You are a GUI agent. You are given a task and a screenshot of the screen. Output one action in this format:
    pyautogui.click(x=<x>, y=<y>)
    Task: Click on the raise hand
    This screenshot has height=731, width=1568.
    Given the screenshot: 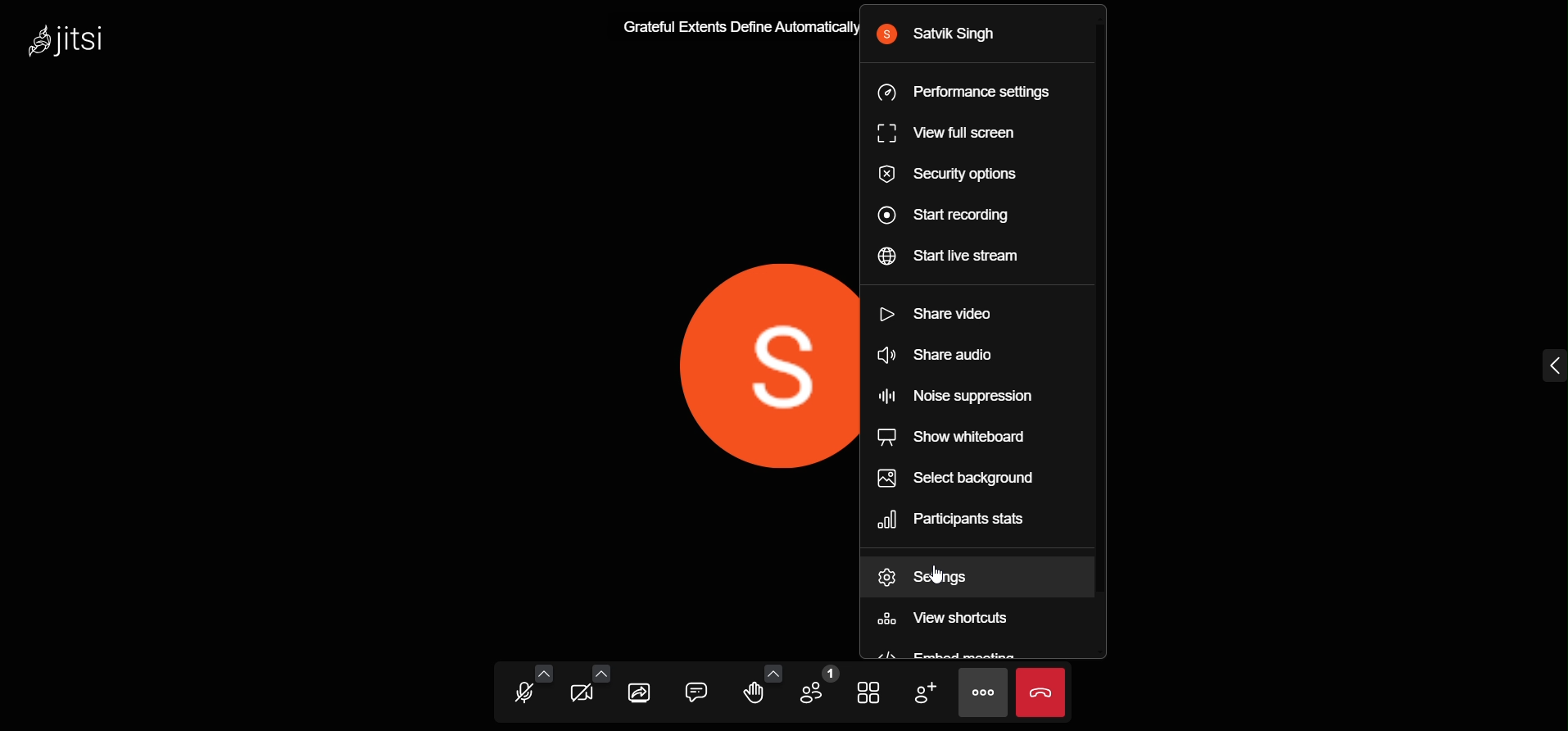 What is the action you would take?
    pyautogui.click(x=755, y=694)
    